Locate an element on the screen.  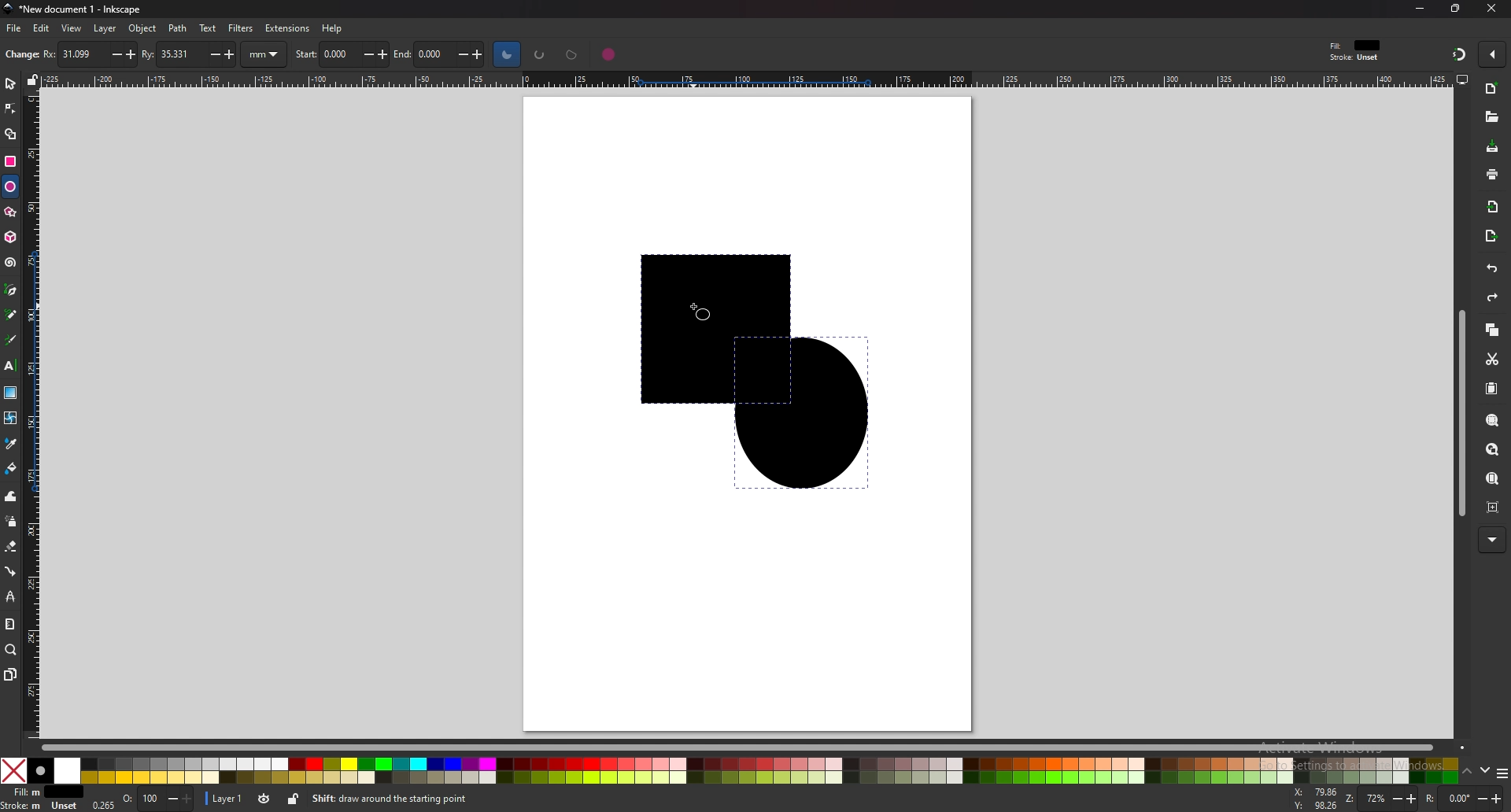
mm is located at coordinates (266, 54).